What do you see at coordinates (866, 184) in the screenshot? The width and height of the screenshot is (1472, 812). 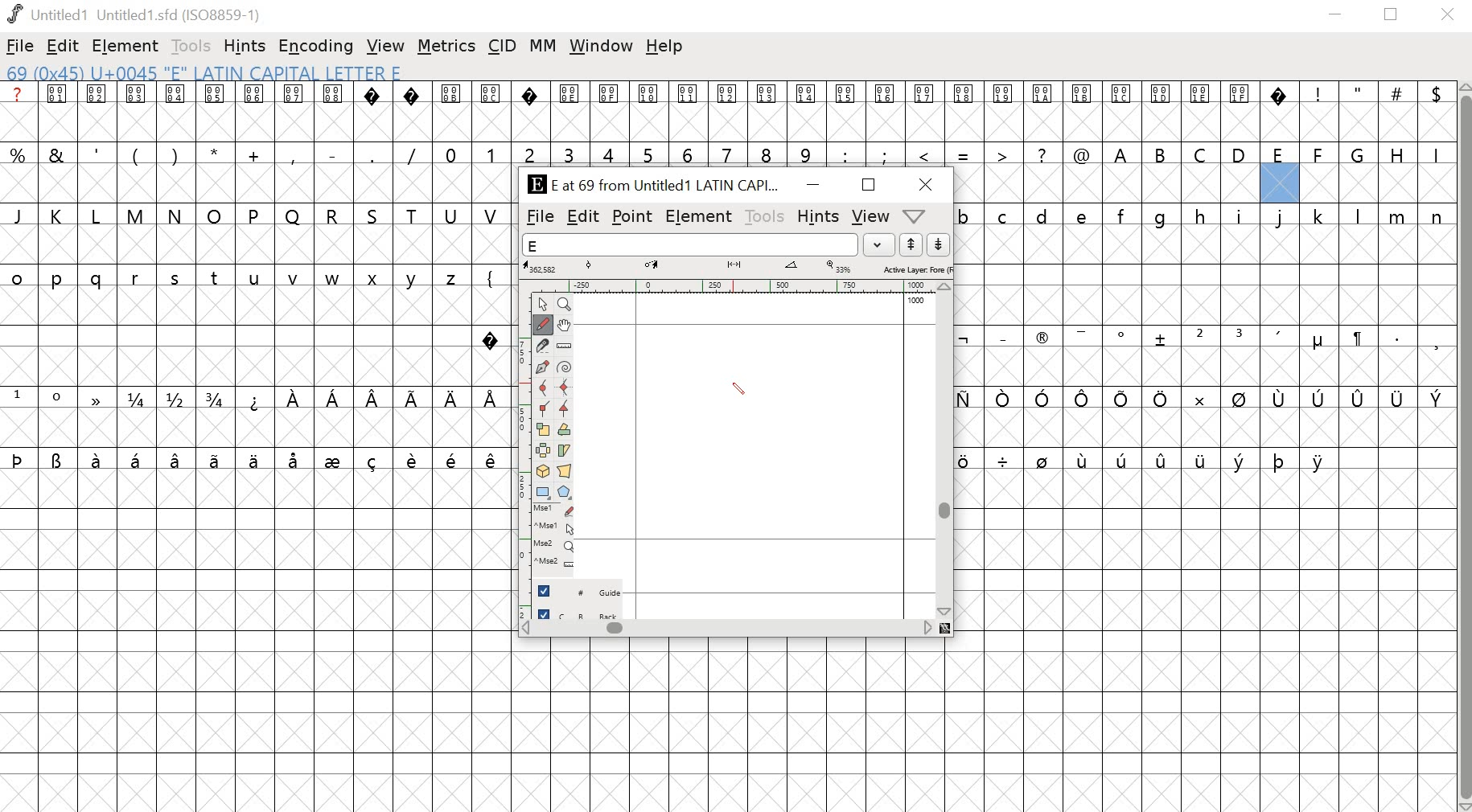 I see `Maximize` at bounding box center [866, 184].